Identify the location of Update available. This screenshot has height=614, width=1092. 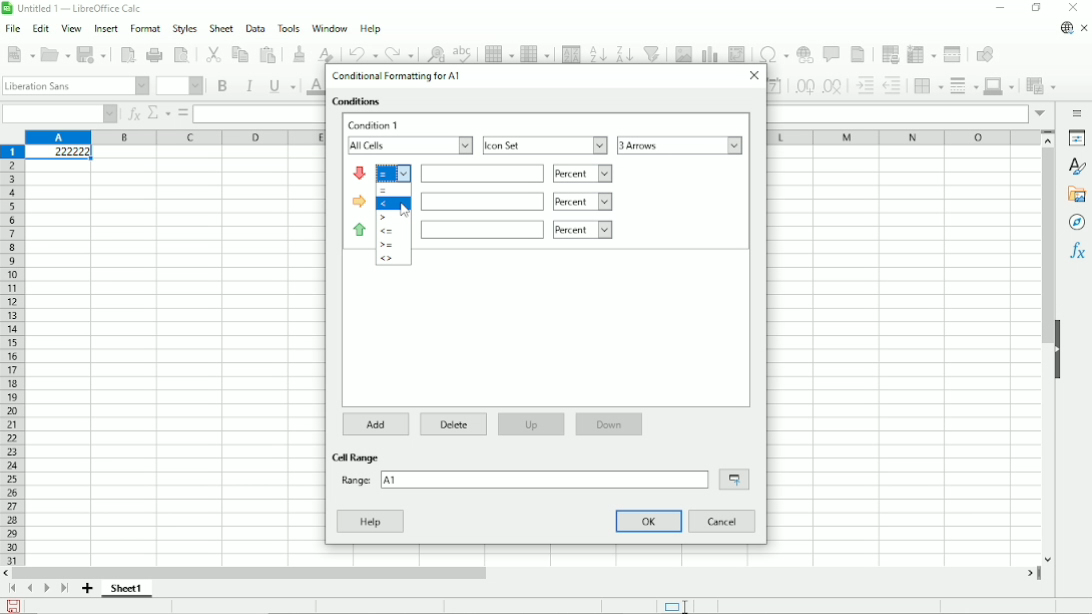
(1065, 27).